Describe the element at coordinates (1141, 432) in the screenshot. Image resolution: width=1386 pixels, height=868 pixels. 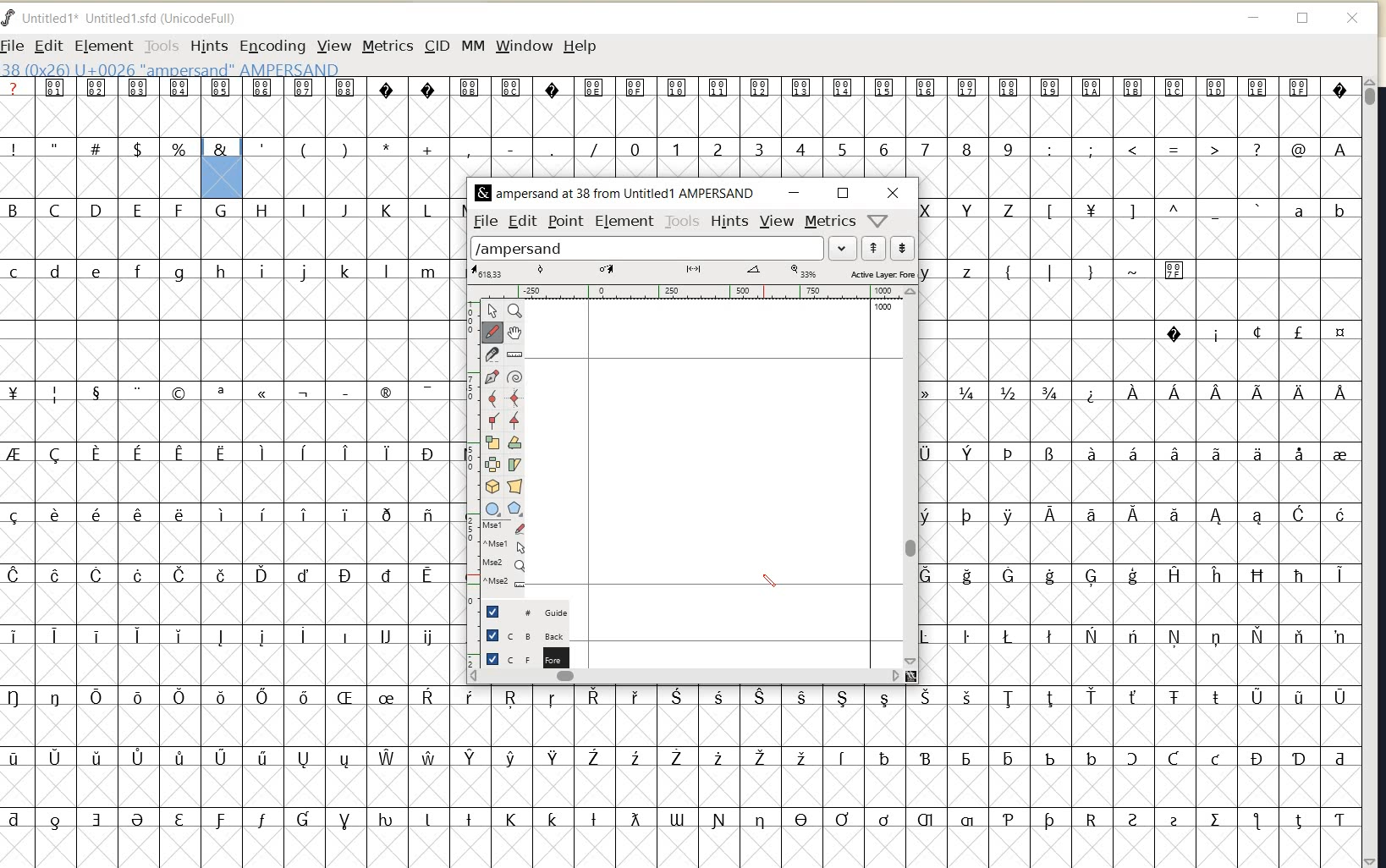
I see `glyph characters & numbers` at that location.